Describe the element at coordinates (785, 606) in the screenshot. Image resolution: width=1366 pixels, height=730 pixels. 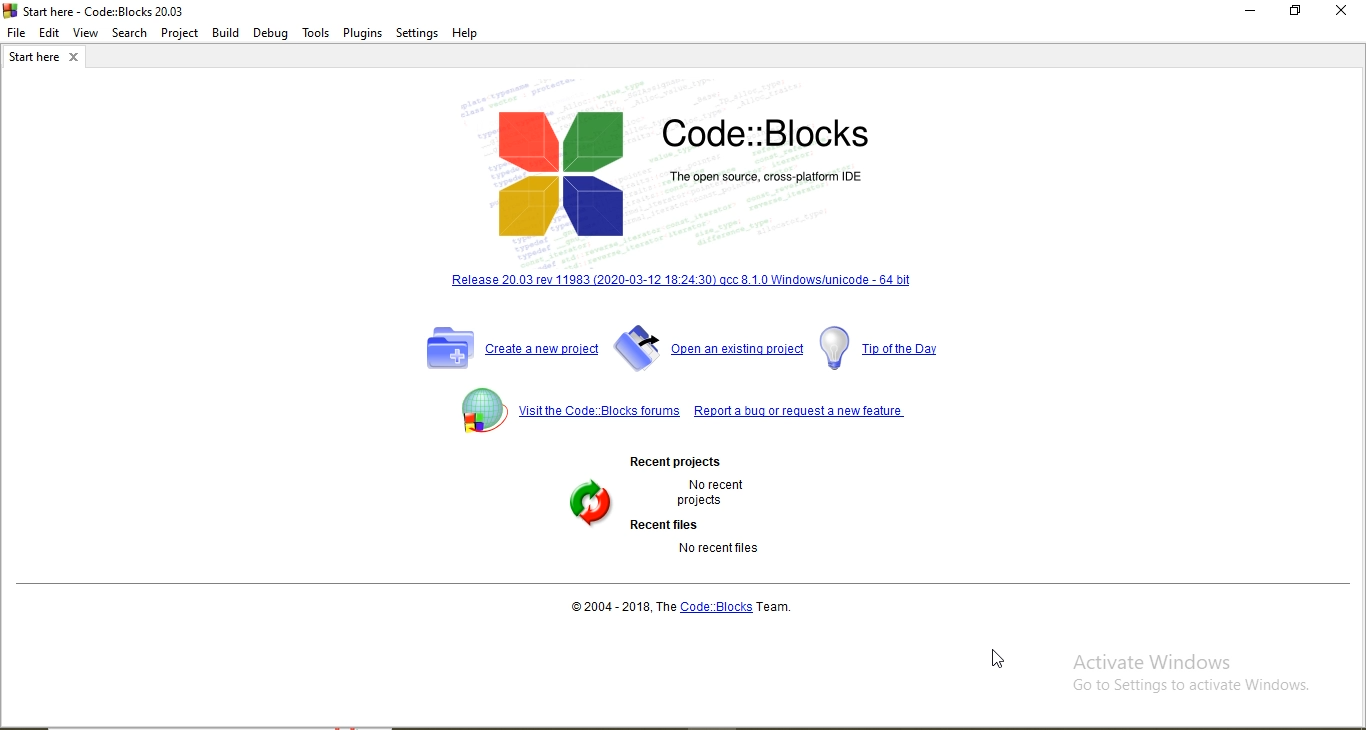
I see `Team` at that location.